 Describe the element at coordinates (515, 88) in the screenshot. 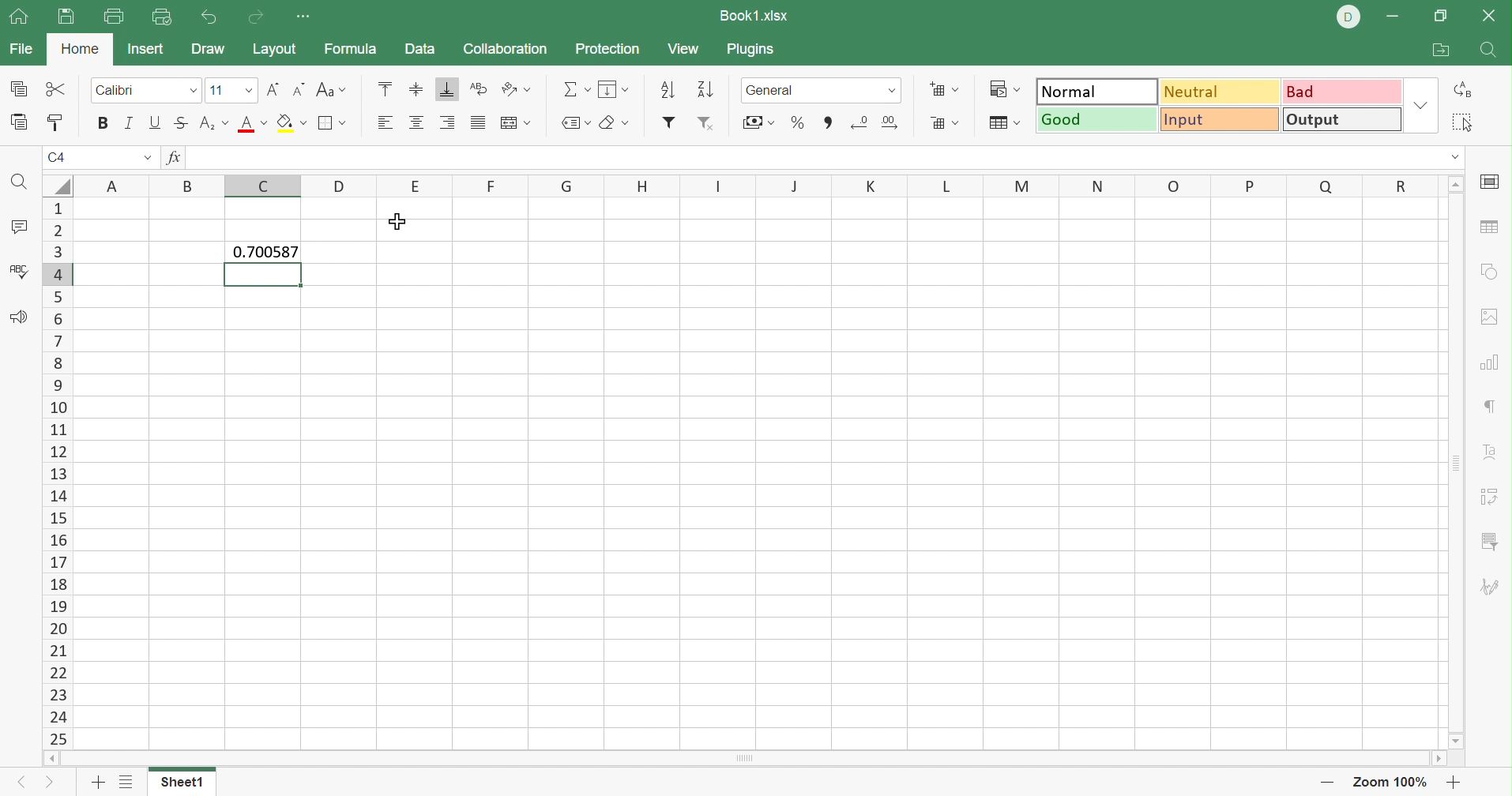

I see `Orientation` at that location.